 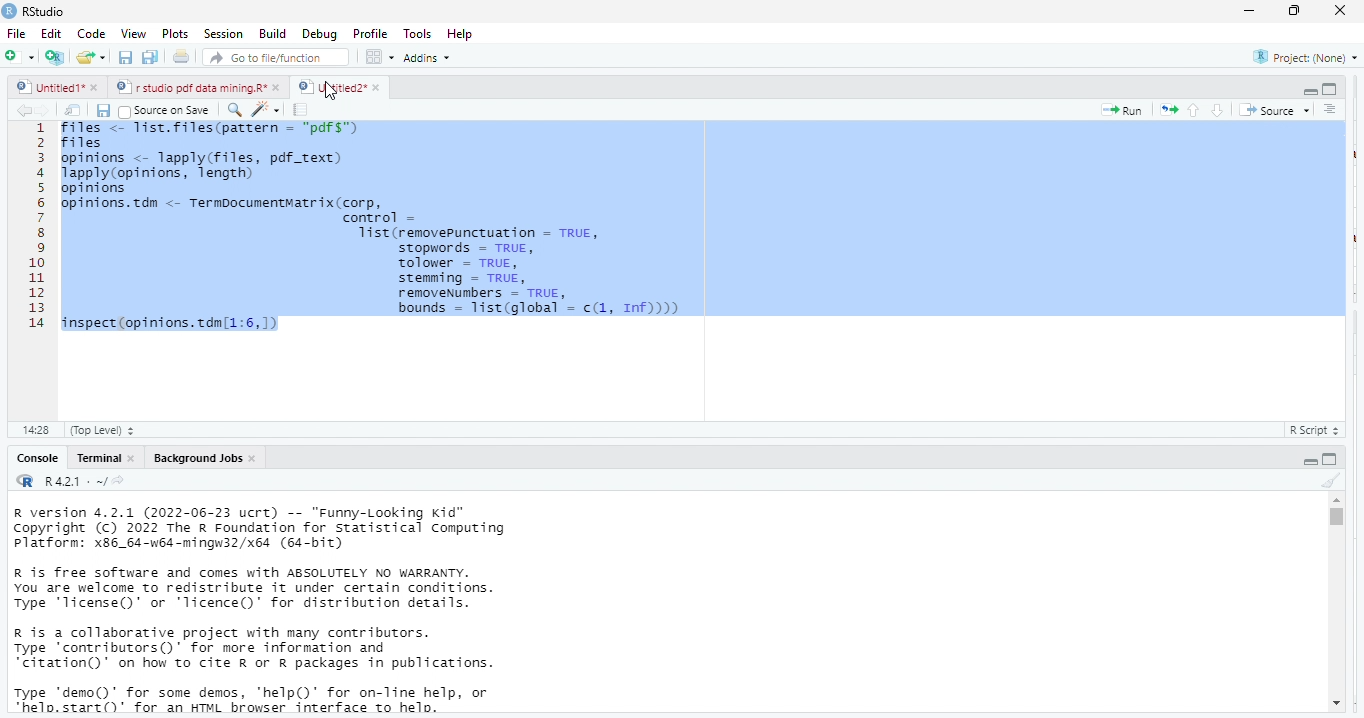 What do you see at coordinates (92, 59) in the screenshot?
I see `open an existing file` at bounding box center [92, 59].